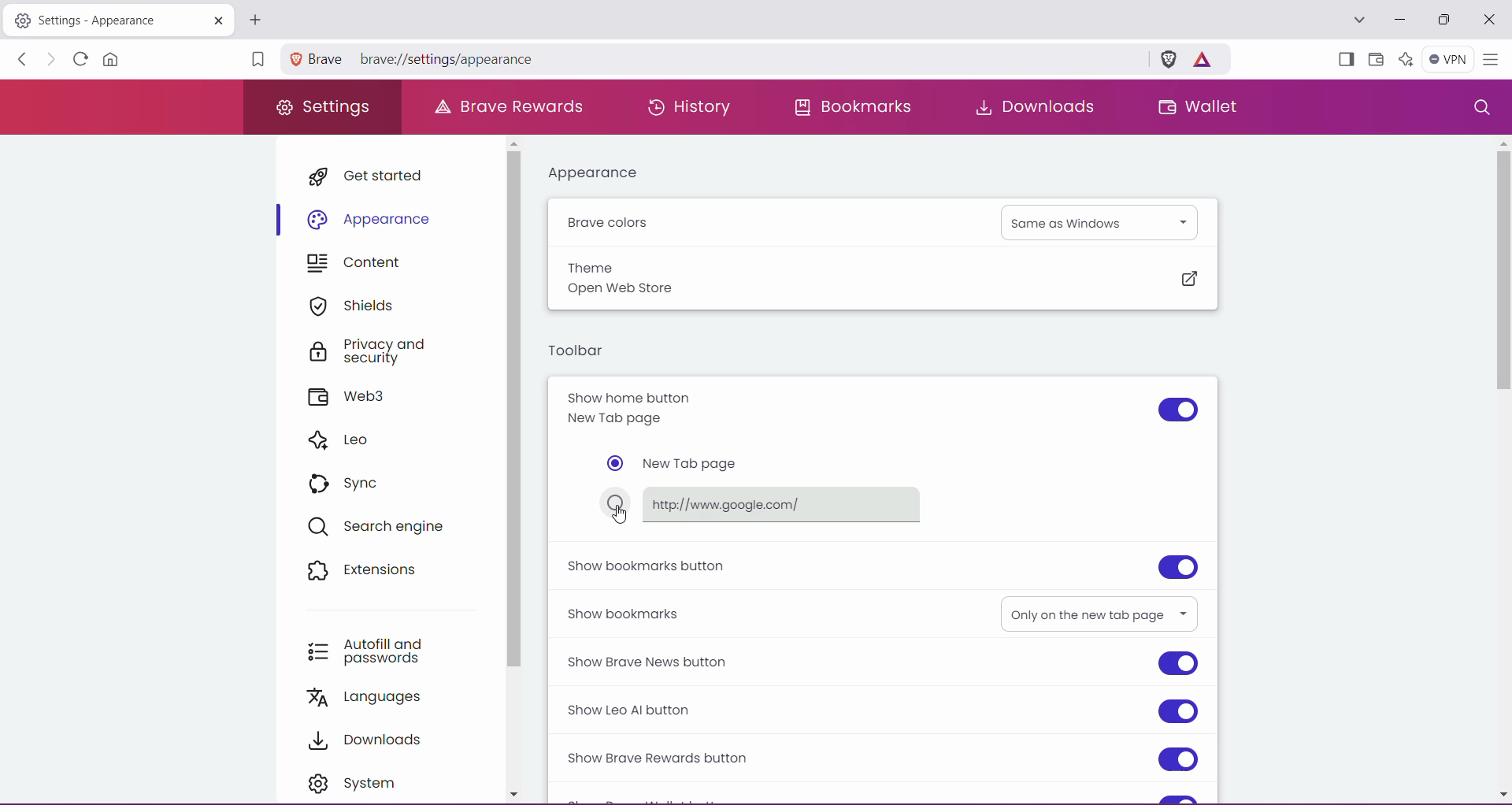 This screenshot has height=805, width=1512. I want to click on Leo, so click(342, 439).